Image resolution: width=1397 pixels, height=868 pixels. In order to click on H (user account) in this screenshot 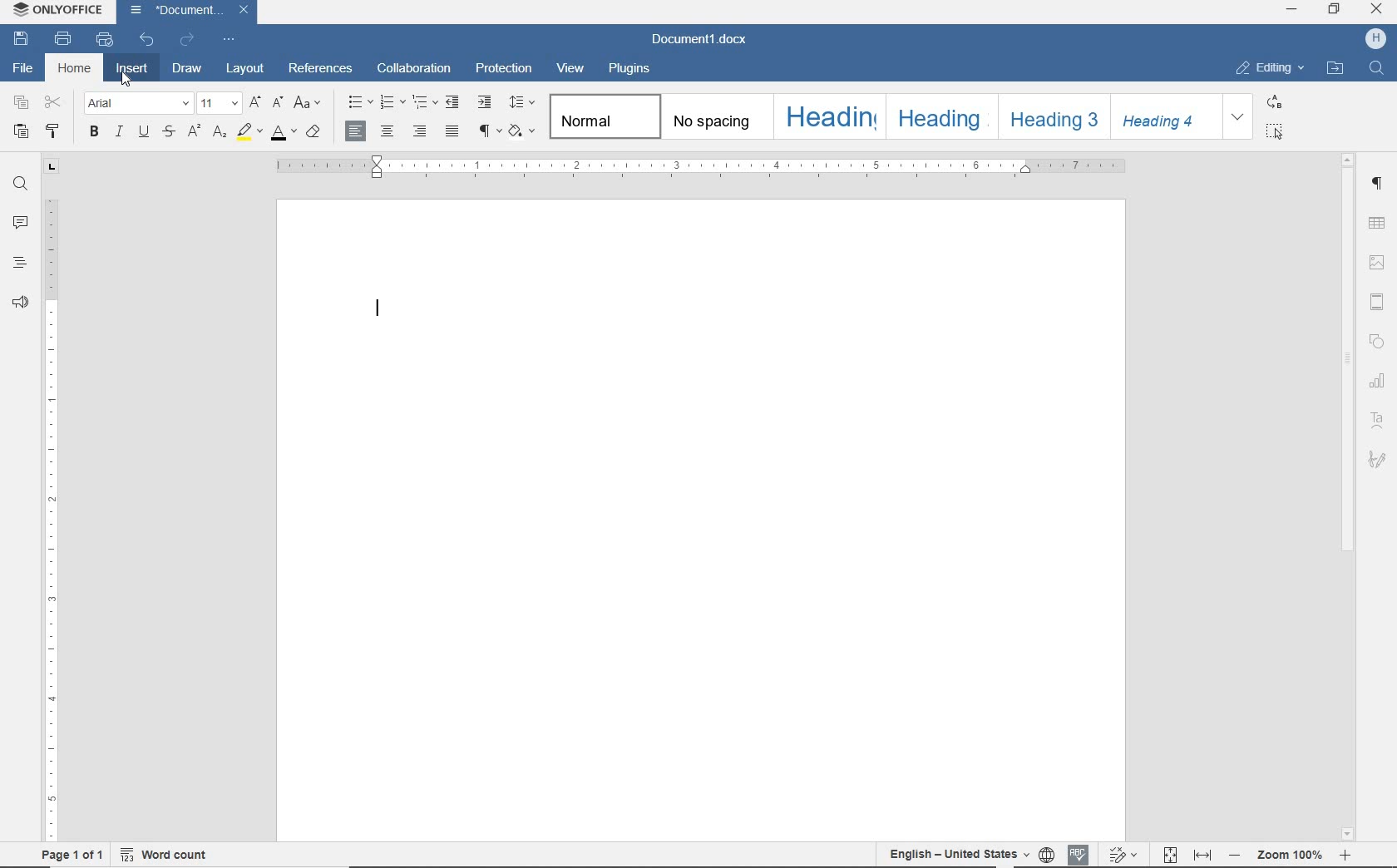, I will do `click(1376, 38)`.